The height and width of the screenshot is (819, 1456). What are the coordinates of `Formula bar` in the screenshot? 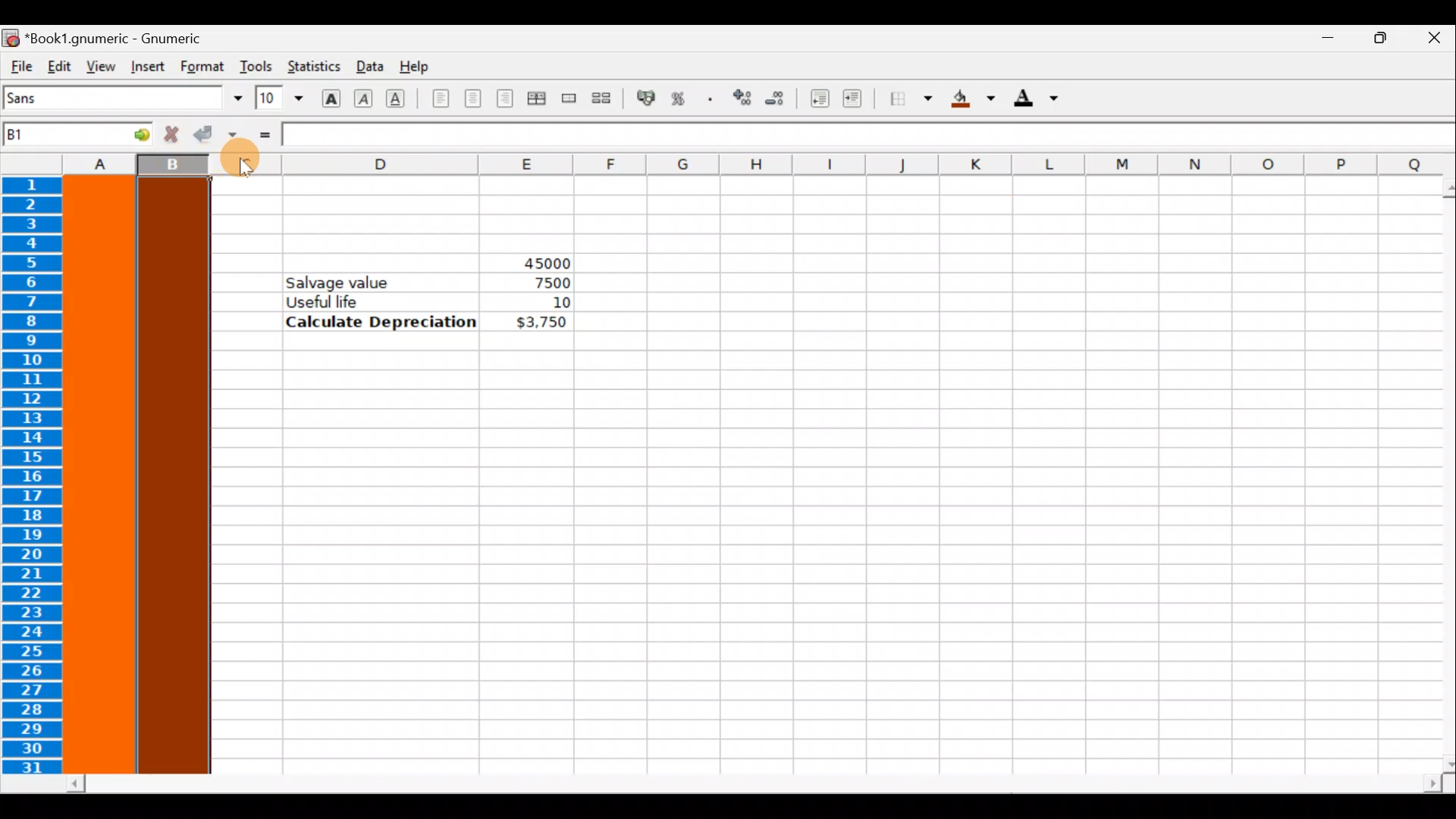 It's located at (870, 137).